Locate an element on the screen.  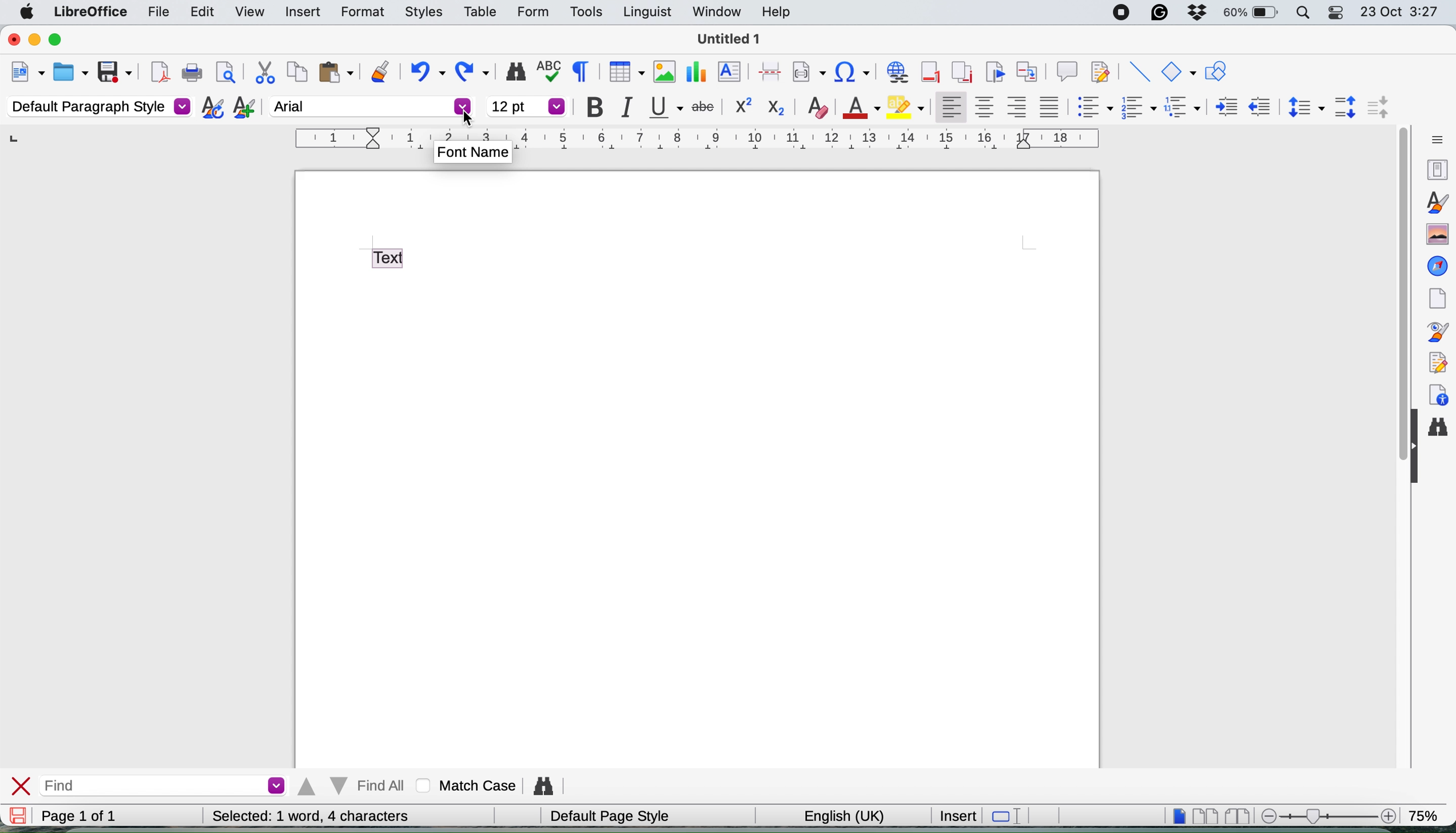
tools is located at coordinates (586, 13).